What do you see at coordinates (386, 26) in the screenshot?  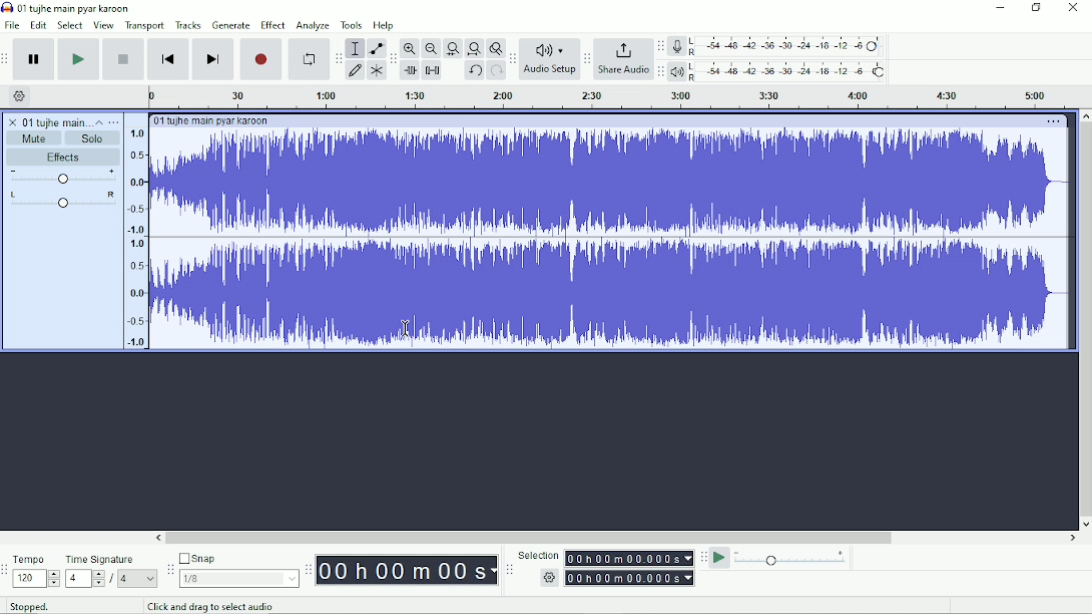 I see `Help` at bounding box center [386, 26].